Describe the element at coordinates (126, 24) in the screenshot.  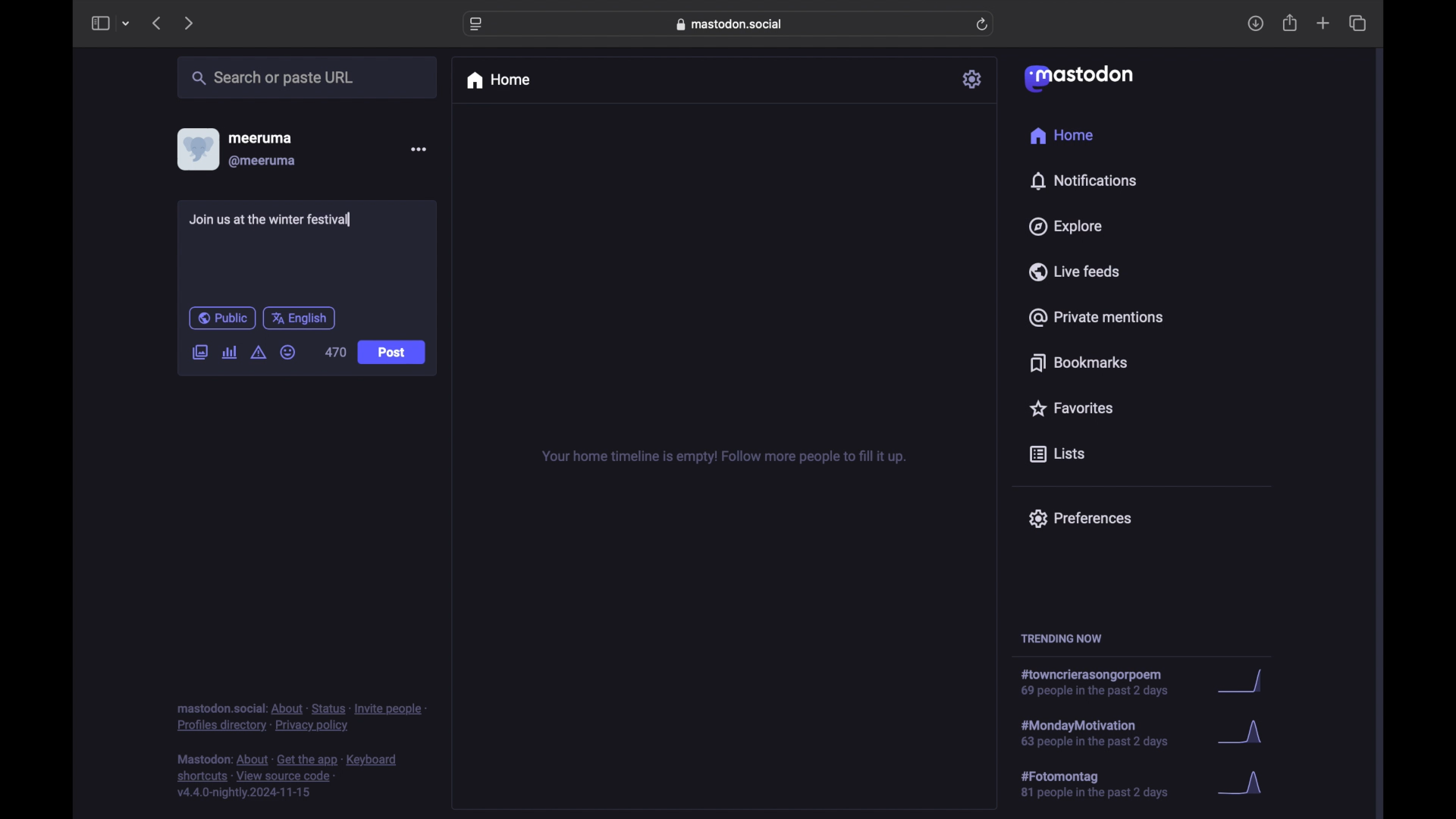
I see `tab group picker` at that location.